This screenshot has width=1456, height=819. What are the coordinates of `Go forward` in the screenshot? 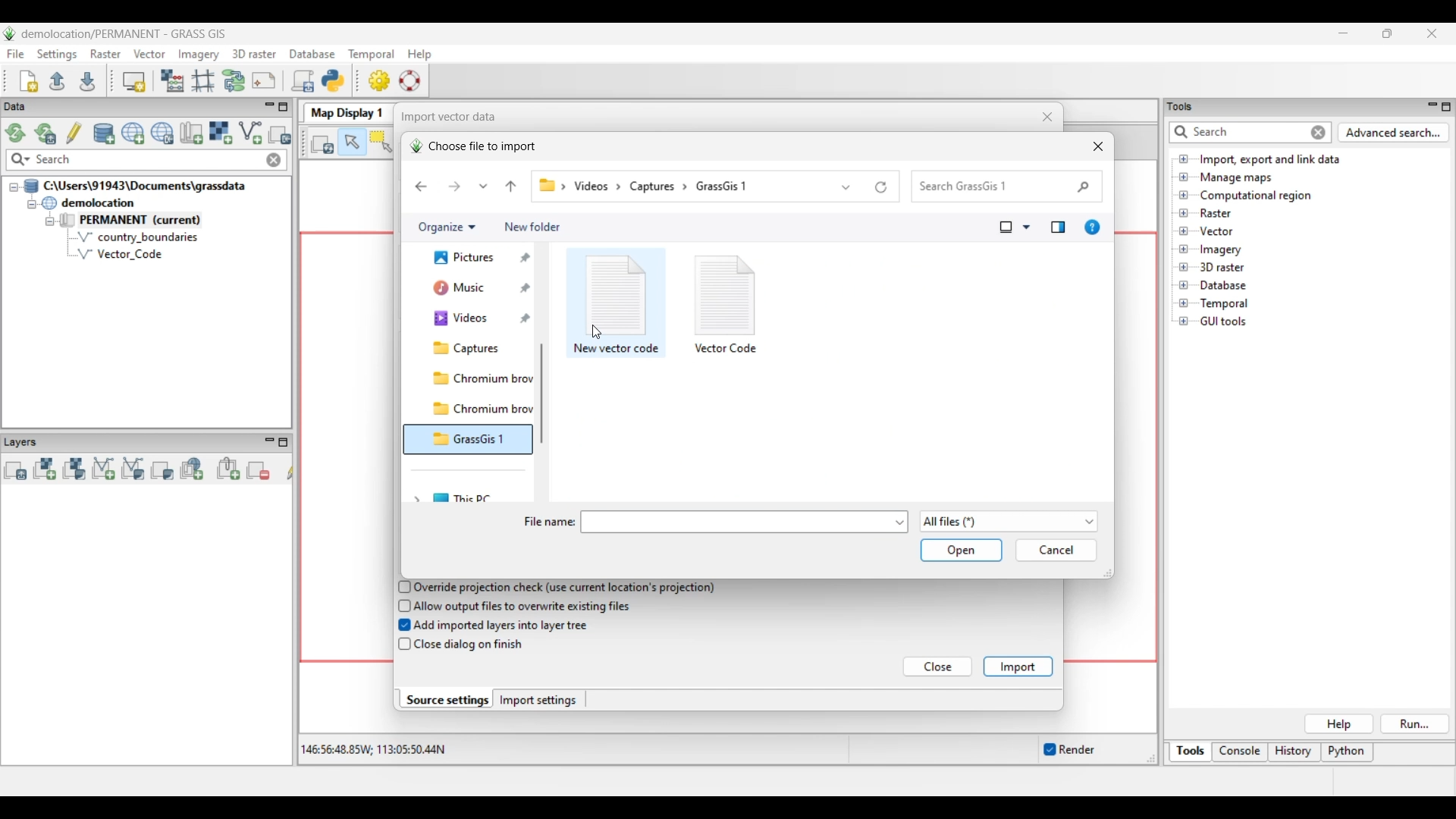 It's located at (454, 186).